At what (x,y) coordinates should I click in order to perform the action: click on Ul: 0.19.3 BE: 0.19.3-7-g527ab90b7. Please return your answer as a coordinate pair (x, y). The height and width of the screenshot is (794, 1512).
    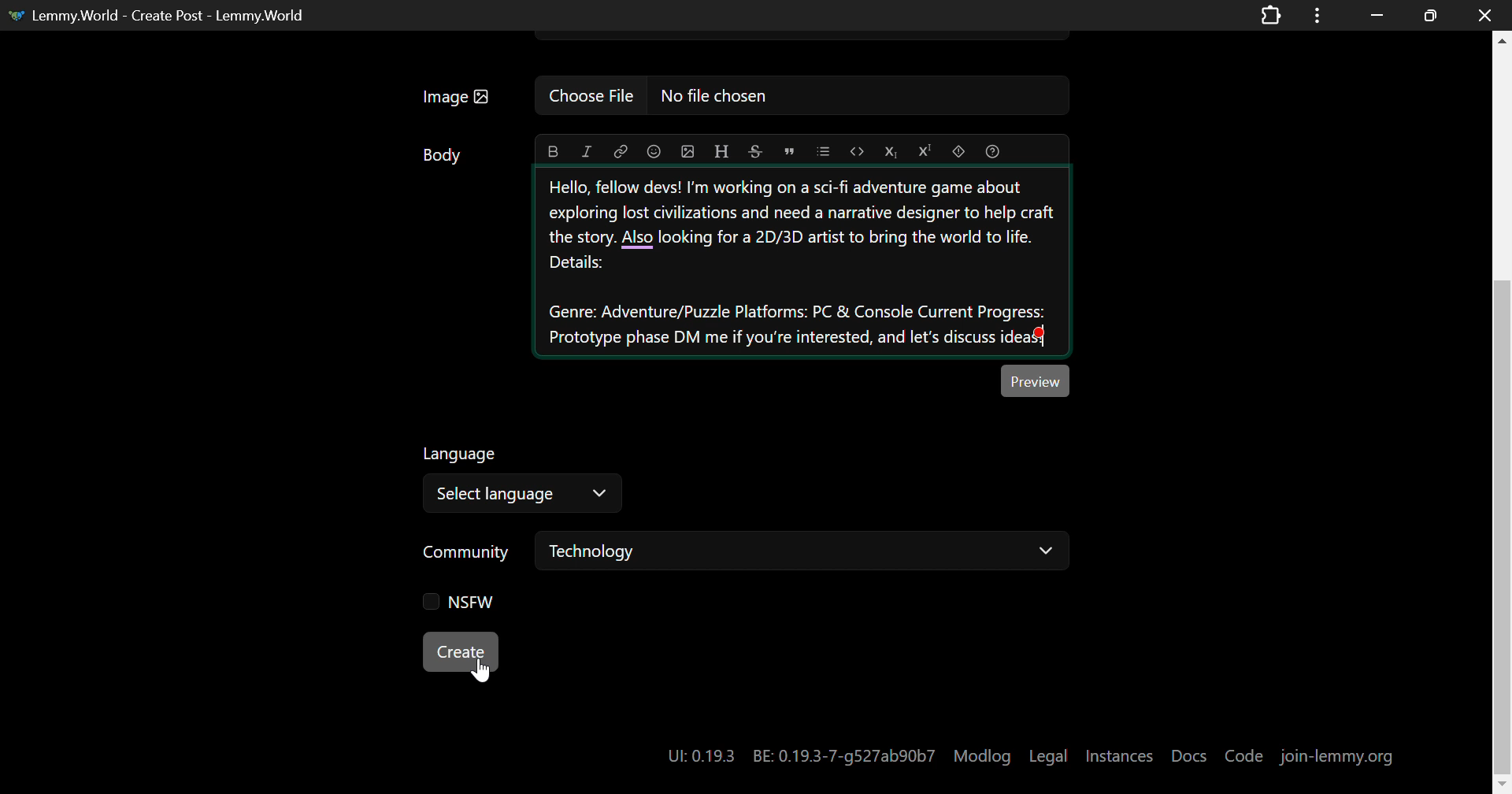
    Looking at the image, I should click on (795, 751).